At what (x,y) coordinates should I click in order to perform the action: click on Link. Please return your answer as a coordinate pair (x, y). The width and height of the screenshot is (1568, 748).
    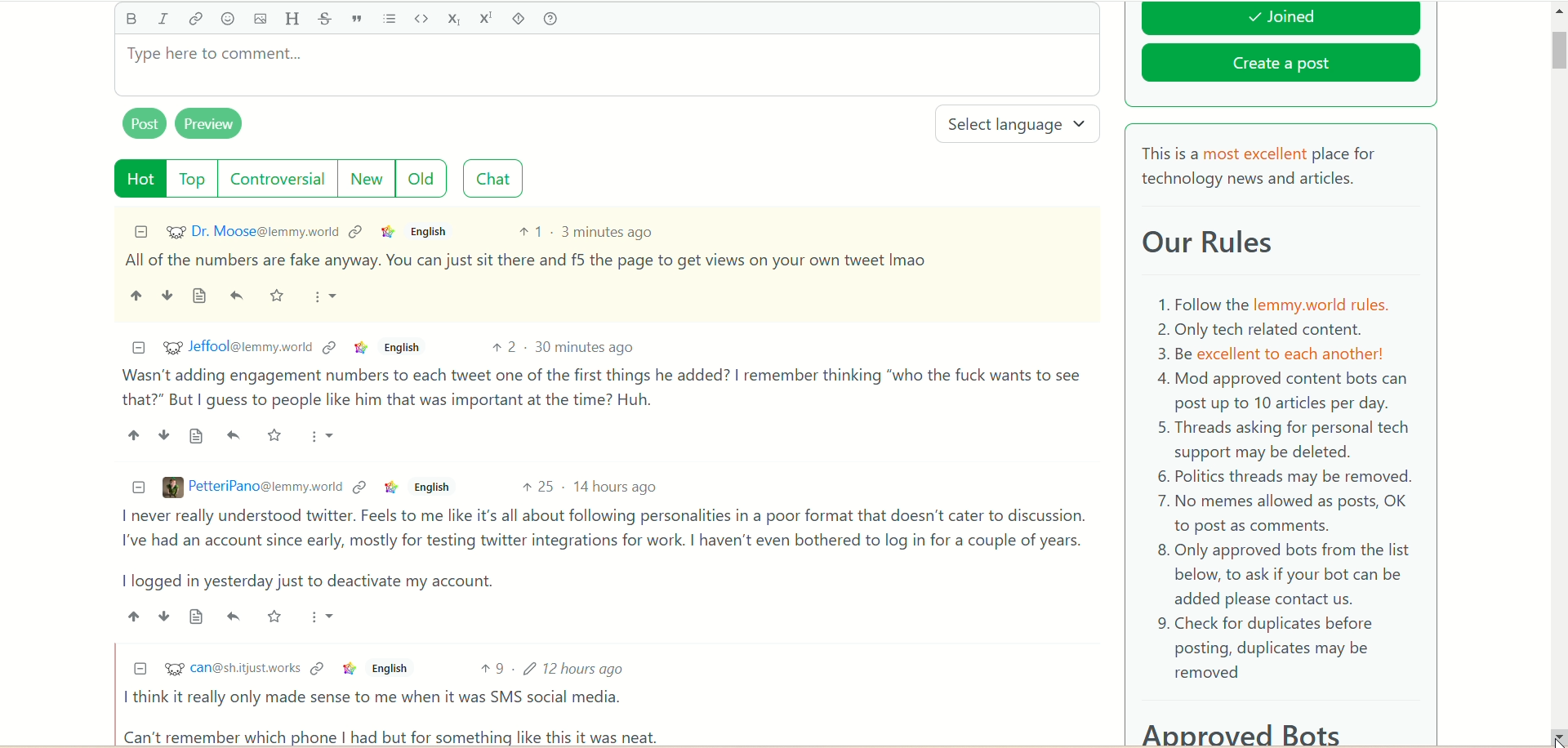
    Looking at the image, I should click on (391, 487).